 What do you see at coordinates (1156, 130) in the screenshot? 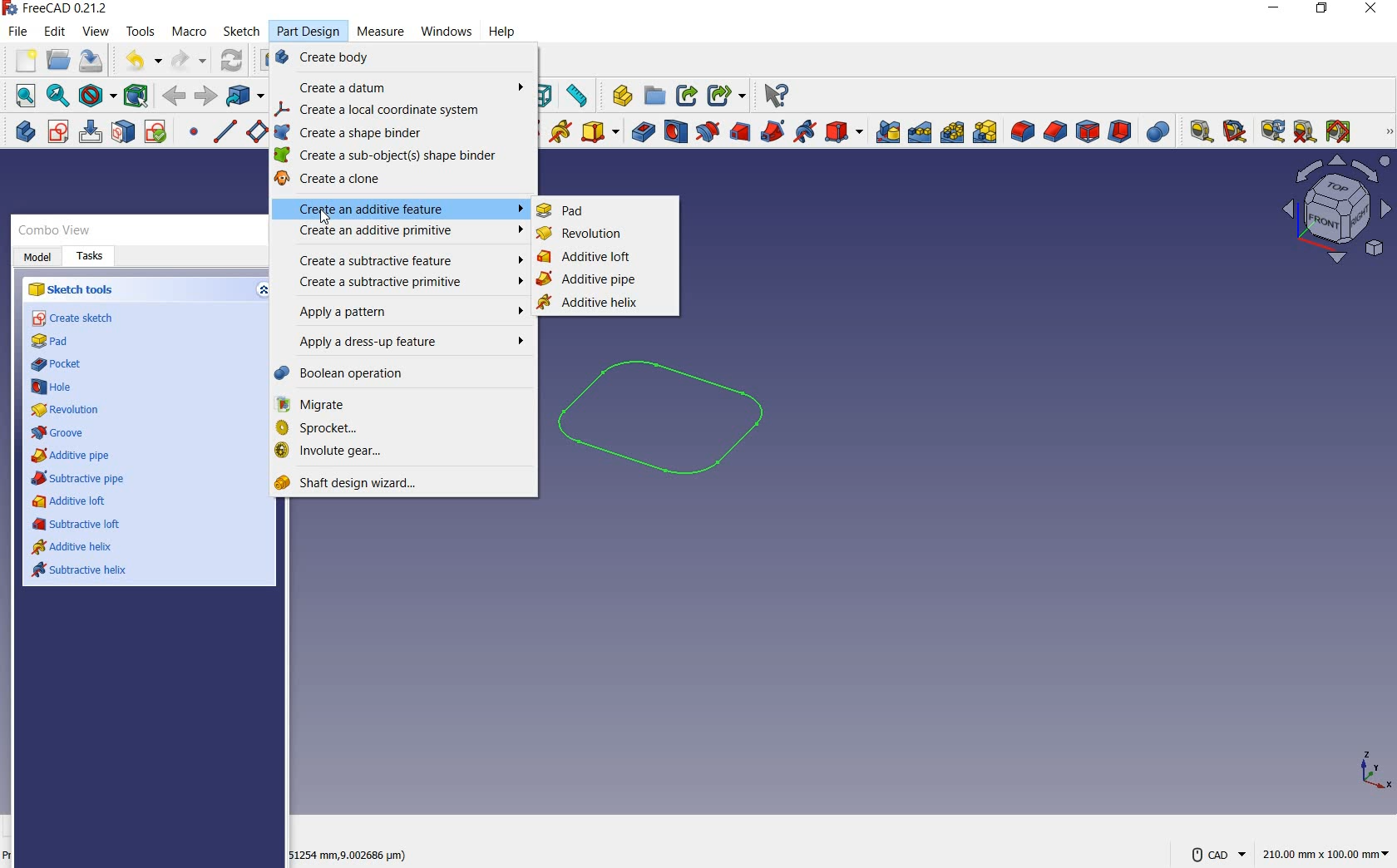
I see `Boolean operation` at bounding box center [1156, 130].